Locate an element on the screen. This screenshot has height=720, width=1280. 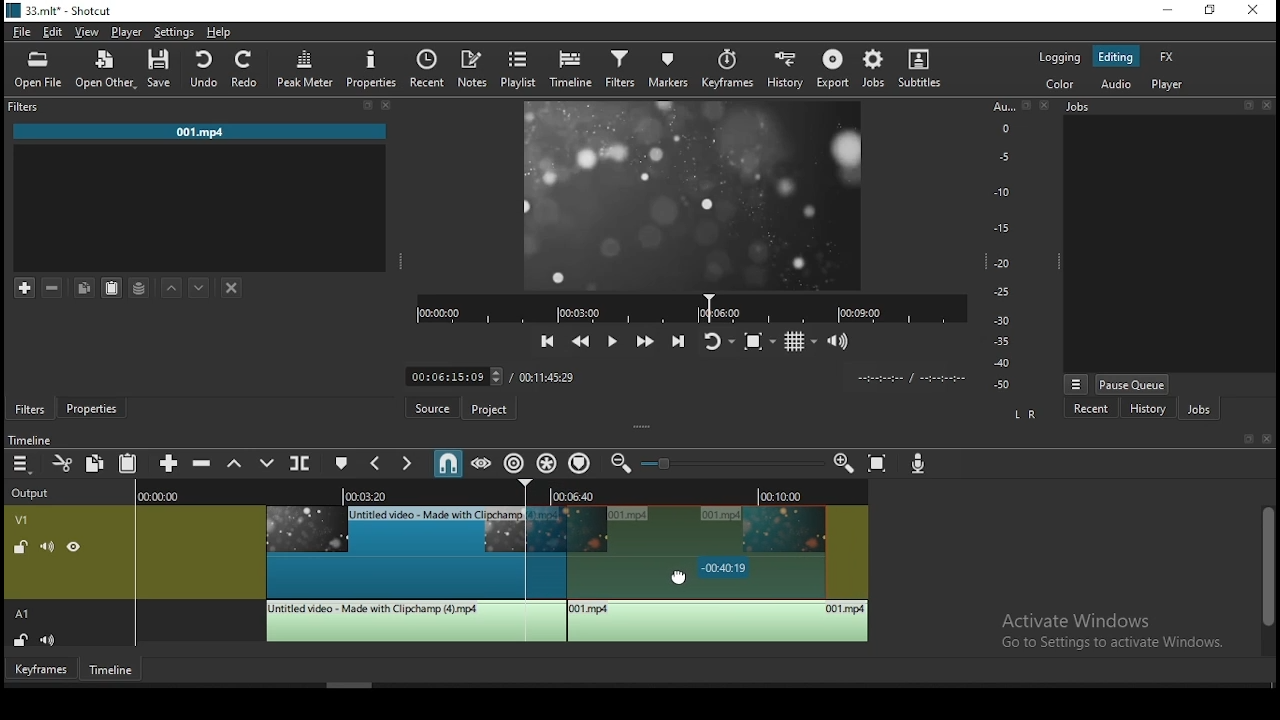
split at playhead is located at coordinates (427, 66).